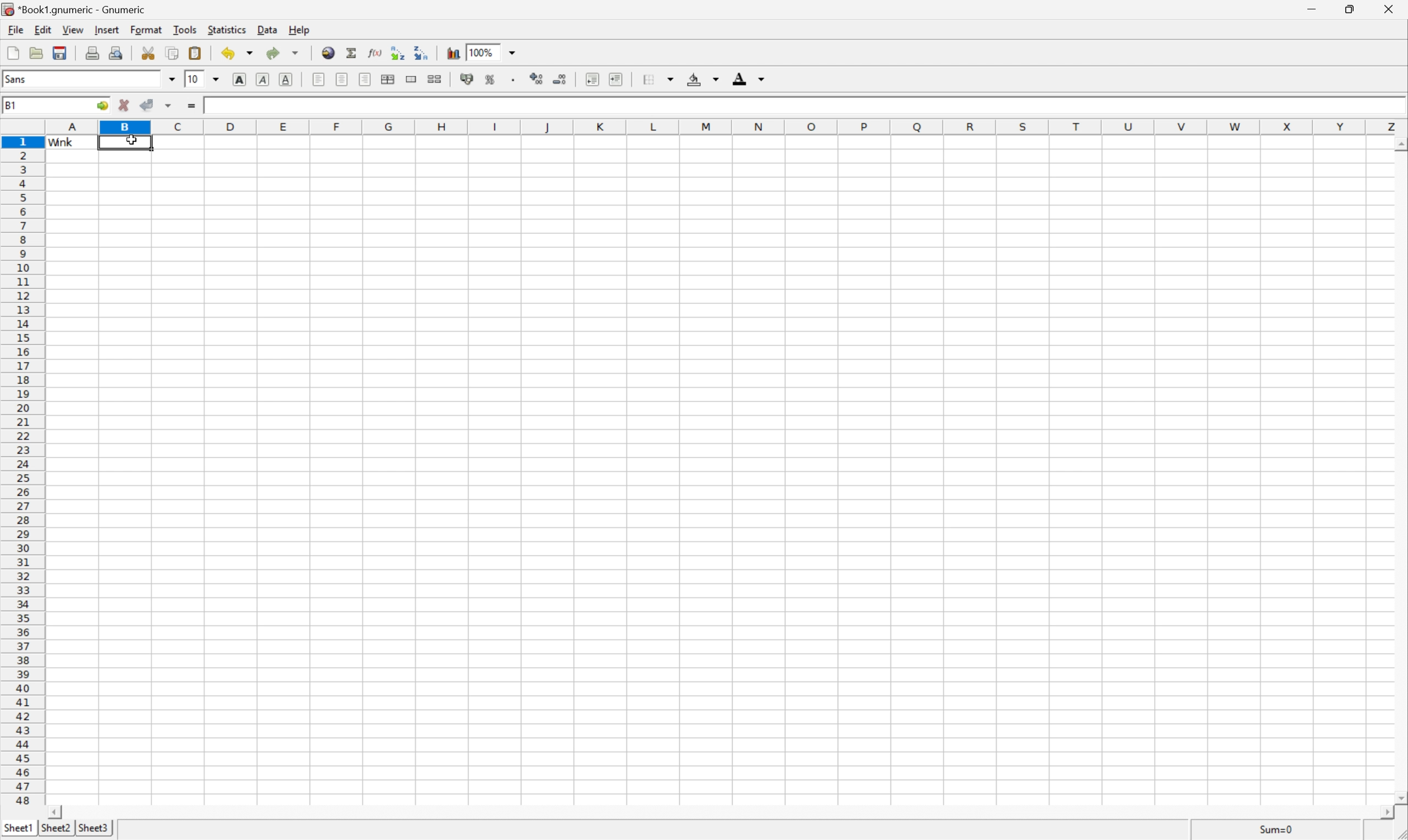  I want to click on cursor, so click(133, 139).